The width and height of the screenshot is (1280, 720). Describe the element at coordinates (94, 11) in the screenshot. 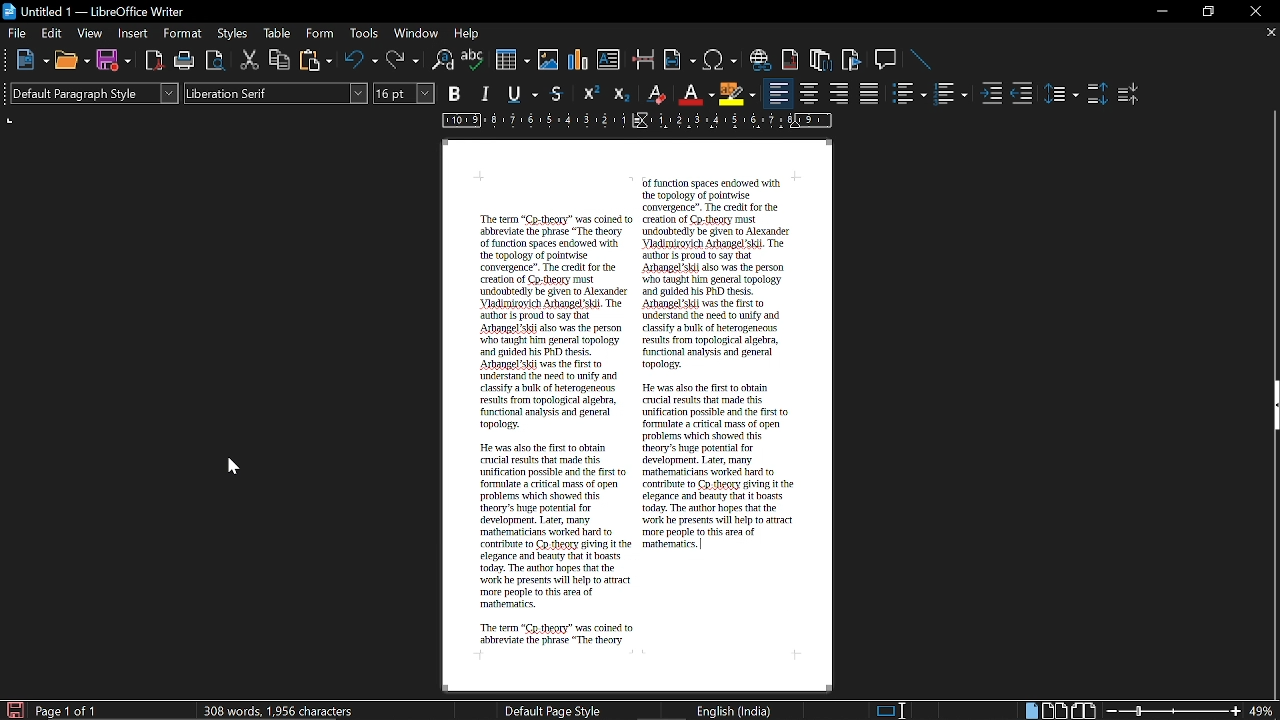

I see `Untitled 1 - LibreOffice Writer` at that location.